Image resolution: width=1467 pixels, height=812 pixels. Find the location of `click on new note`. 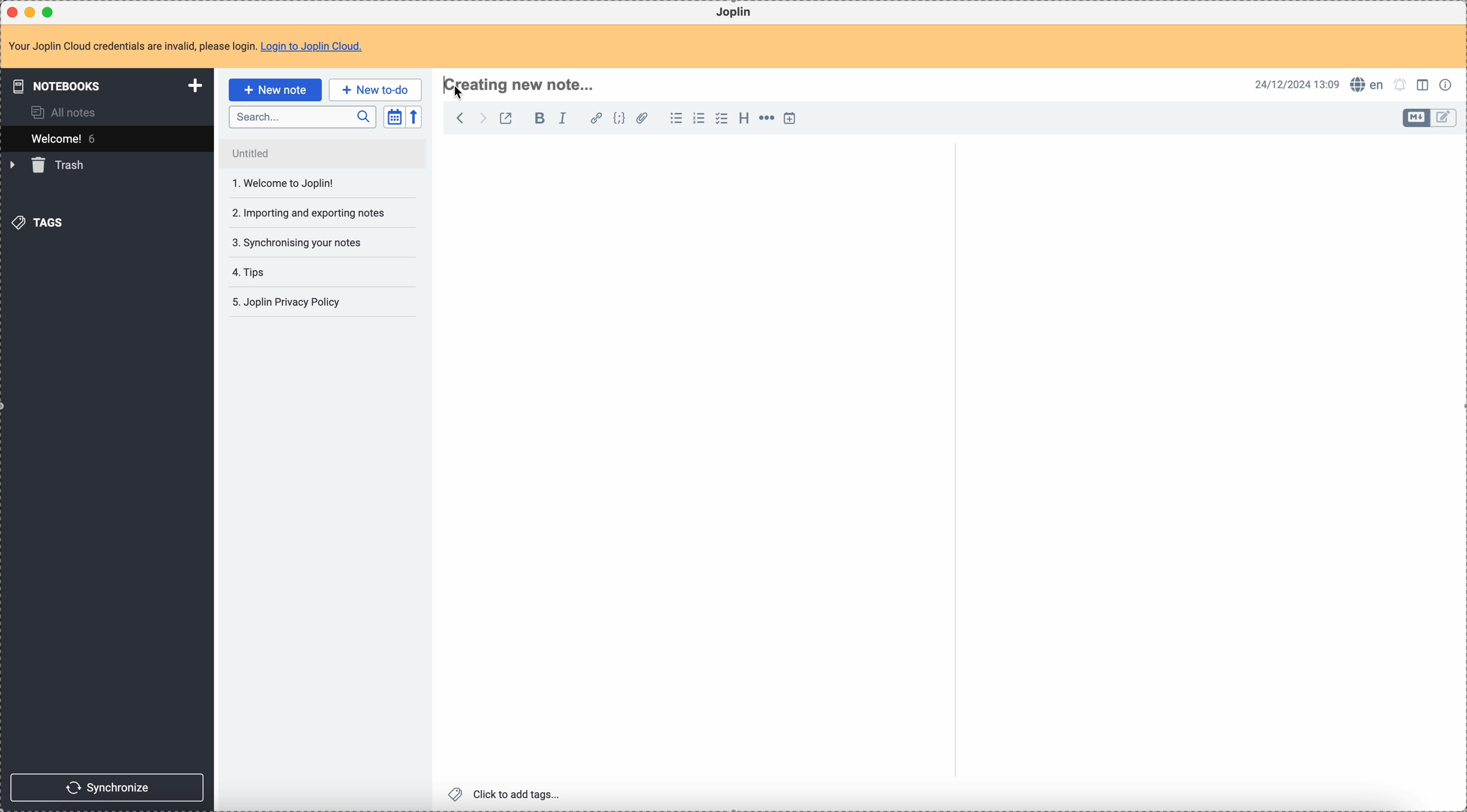

click on new note is located at coordinates (274, 89).